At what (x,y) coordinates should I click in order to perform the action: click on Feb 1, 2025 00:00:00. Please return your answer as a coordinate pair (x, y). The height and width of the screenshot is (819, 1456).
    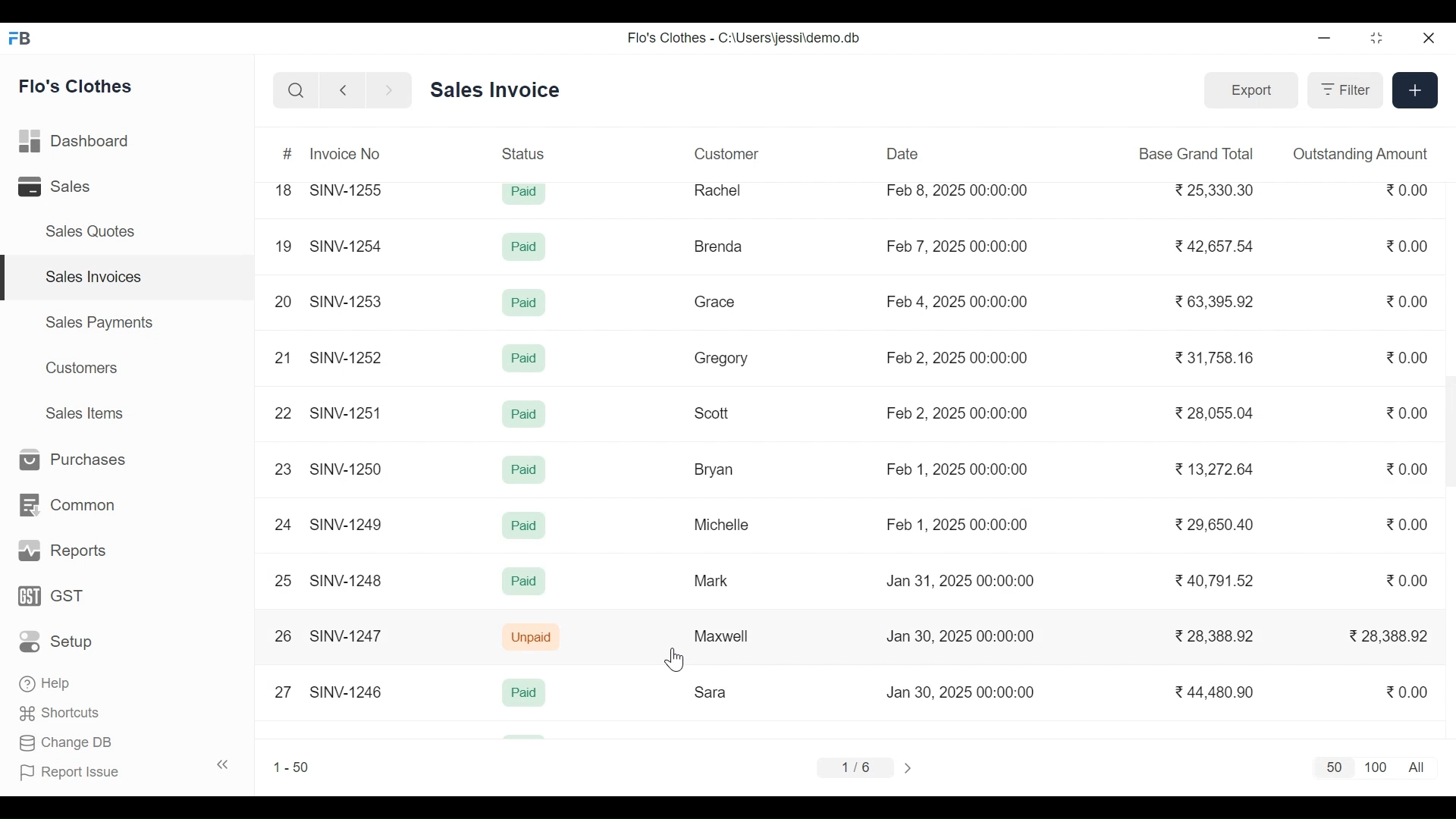
    Looking at the image, I should click on (956, 525).